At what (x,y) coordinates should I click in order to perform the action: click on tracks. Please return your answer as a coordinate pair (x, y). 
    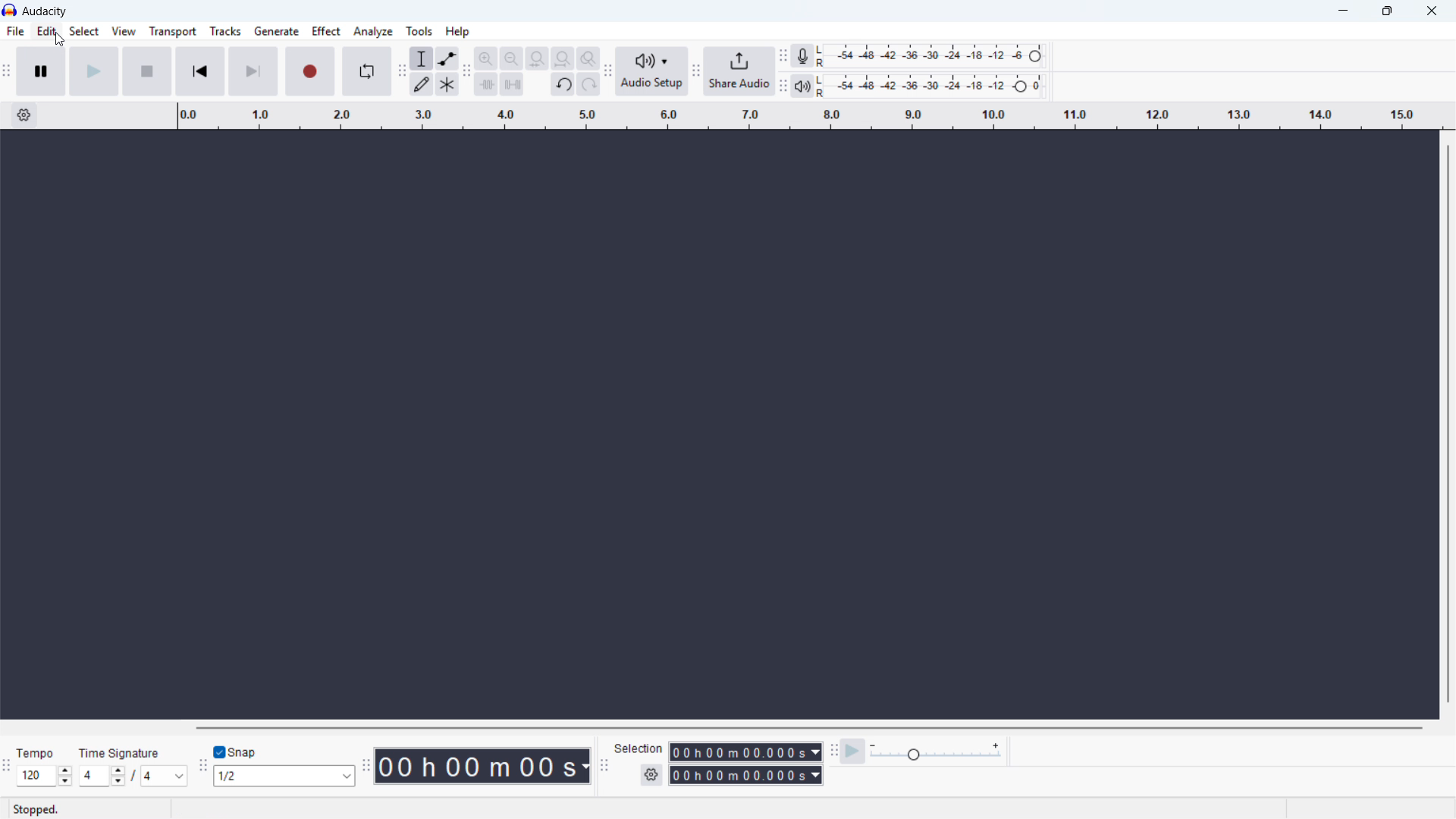
    Looking at the image, I should click on (224, 31).